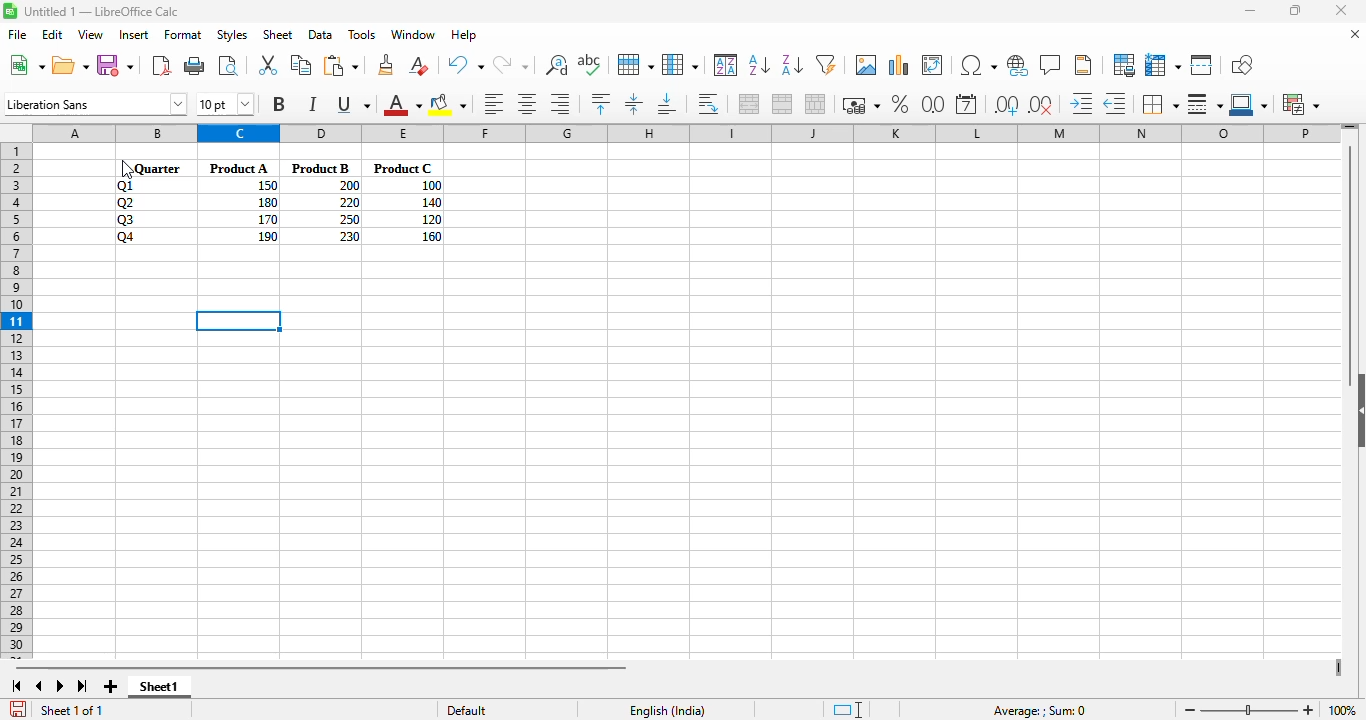 The image size is (1366, 720). What do you see at coordinates (267, 64) in the screenshot?
I see `cut` at bounding box center [267, 64].